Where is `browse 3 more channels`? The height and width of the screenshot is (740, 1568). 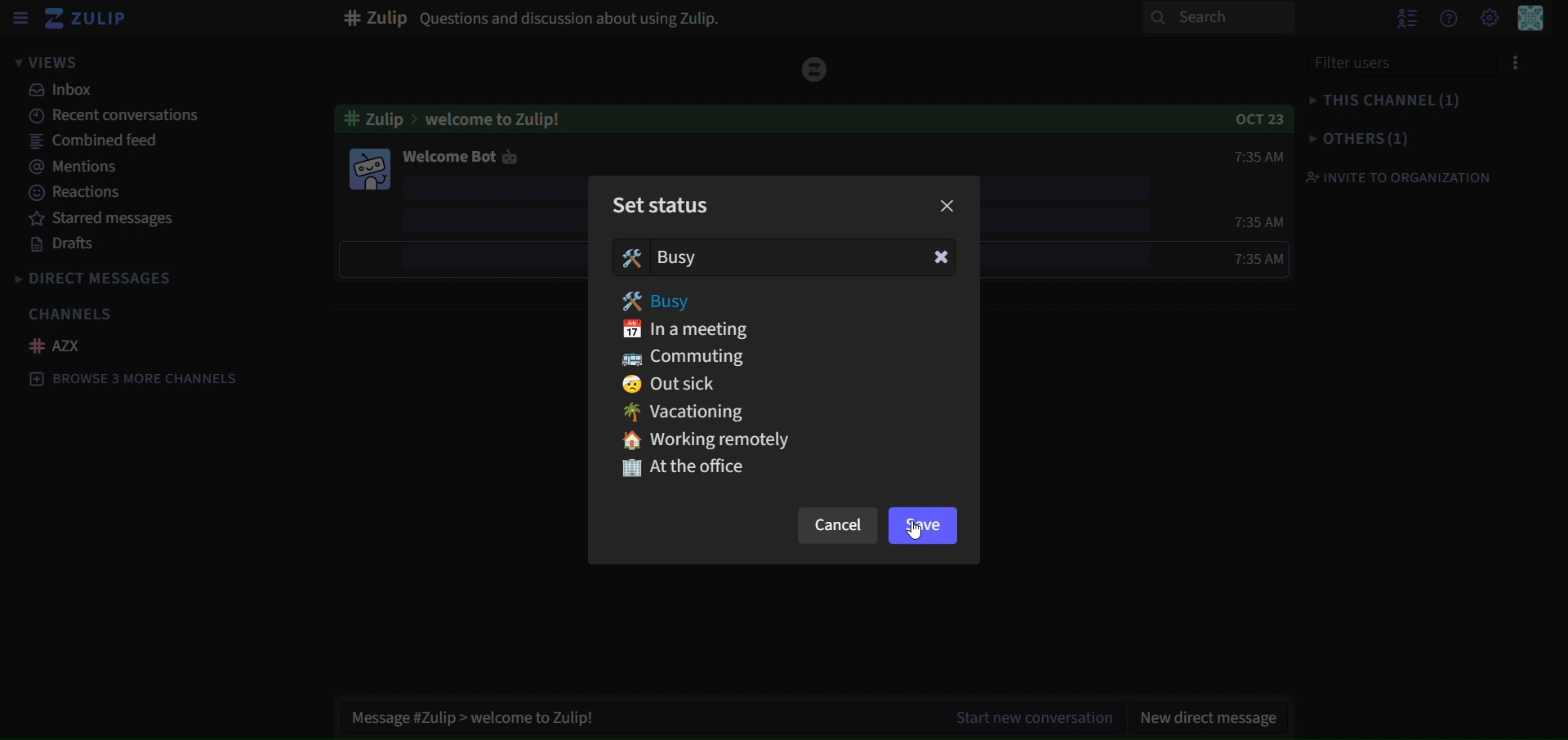
browse 3 more channels is located at coordinates (135, 380).